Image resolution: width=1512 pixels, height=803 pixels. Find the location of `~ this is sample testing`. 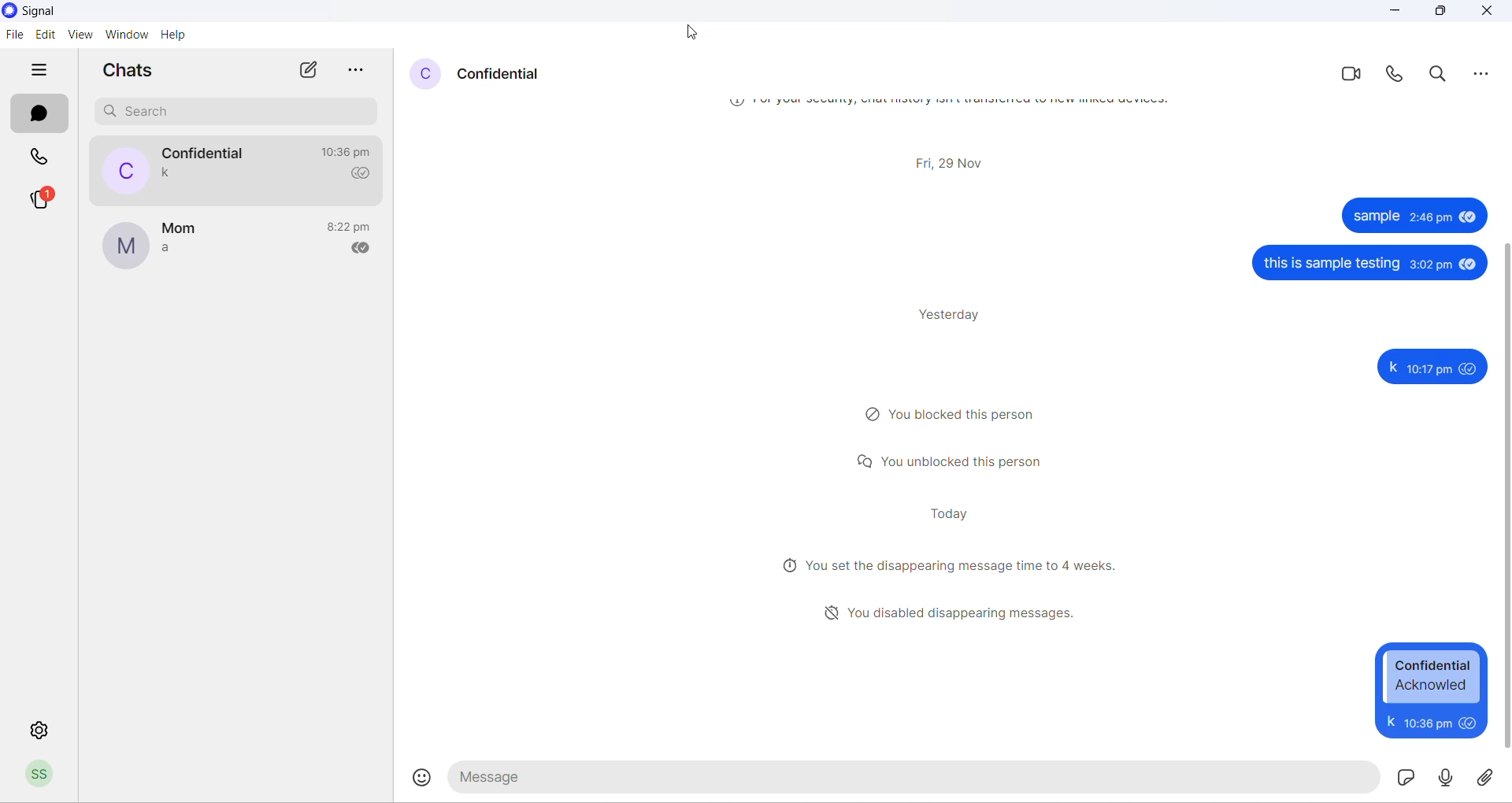

~ this is sample testing is located at coordinates (1330, 264).